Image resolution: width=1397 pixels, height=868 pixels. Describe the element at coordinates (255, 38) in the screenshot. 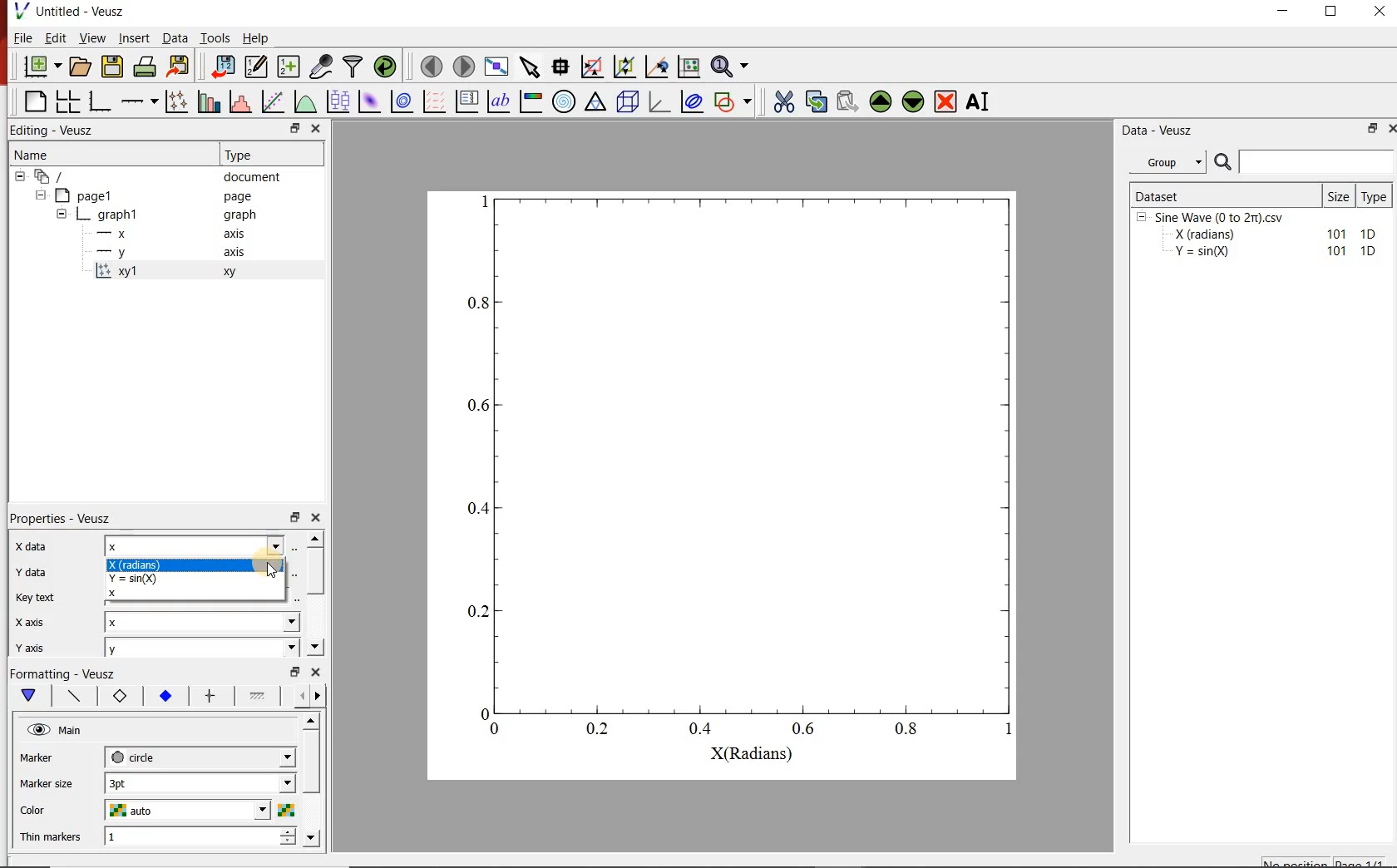

I see `Help` at that location.